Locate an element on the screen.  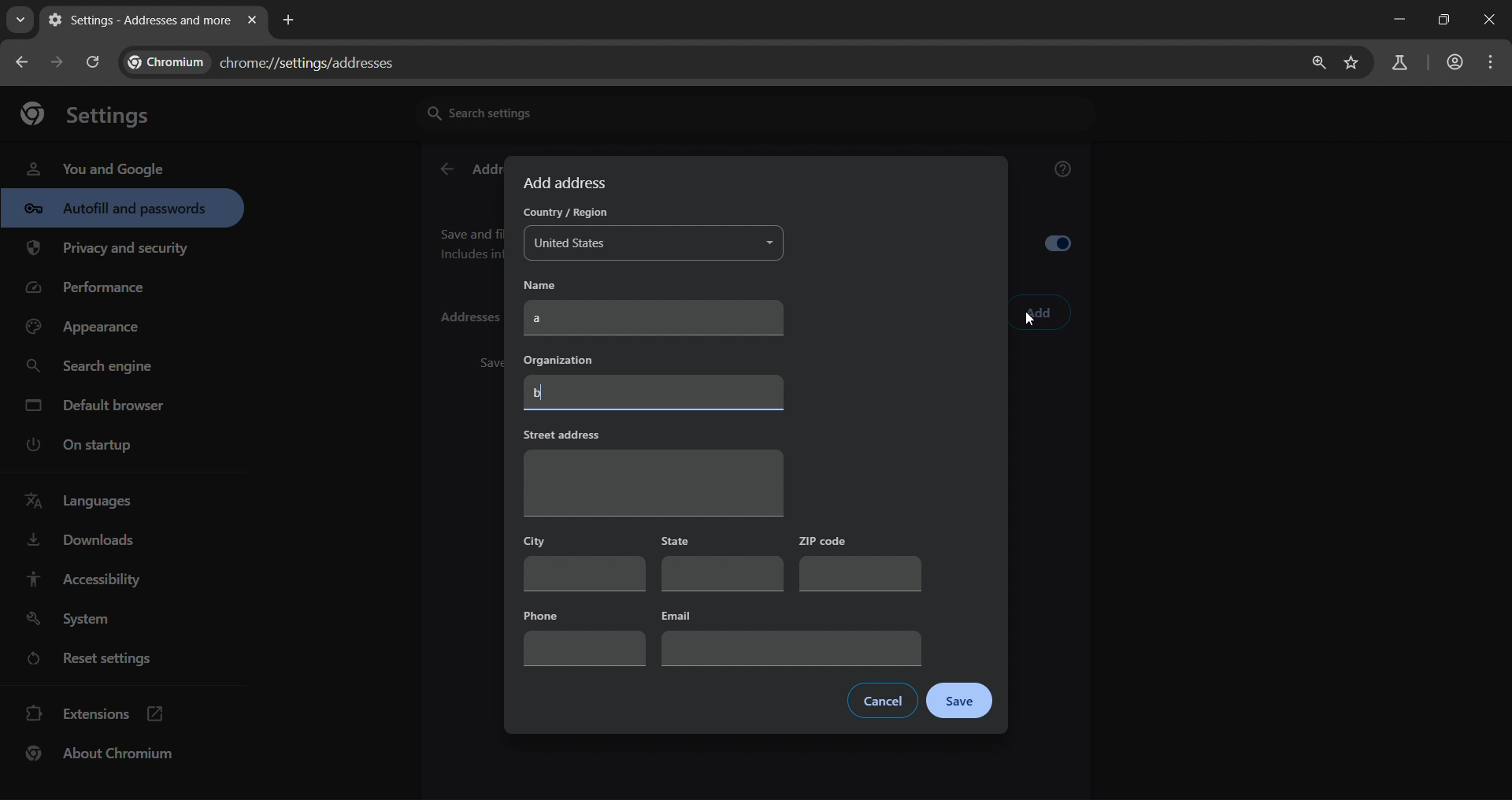
new tab is located at coordinates (289, 18).